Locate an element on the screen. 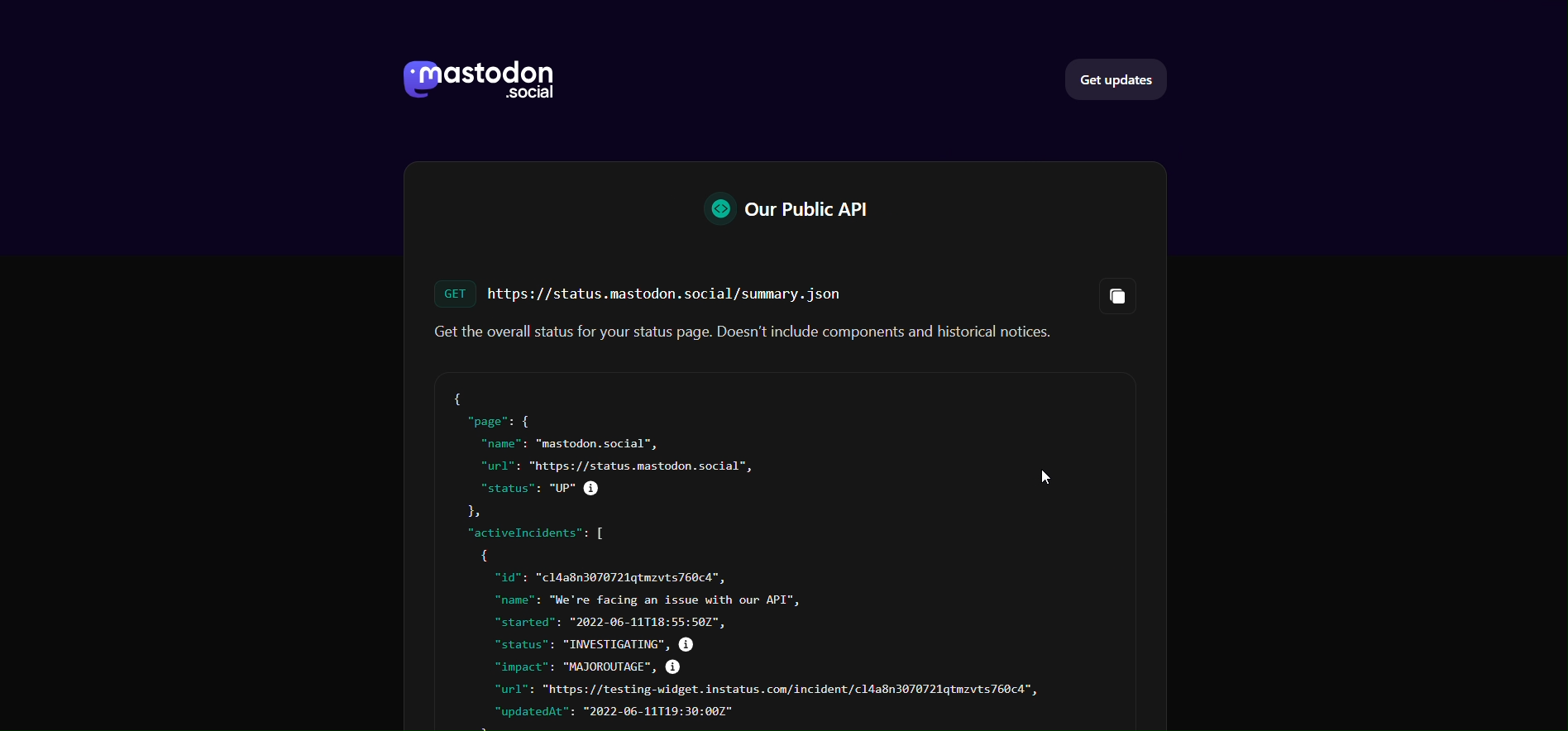 The width and height of the screenshot is (1568, 731). API Code is located at coordinates (772, 547).